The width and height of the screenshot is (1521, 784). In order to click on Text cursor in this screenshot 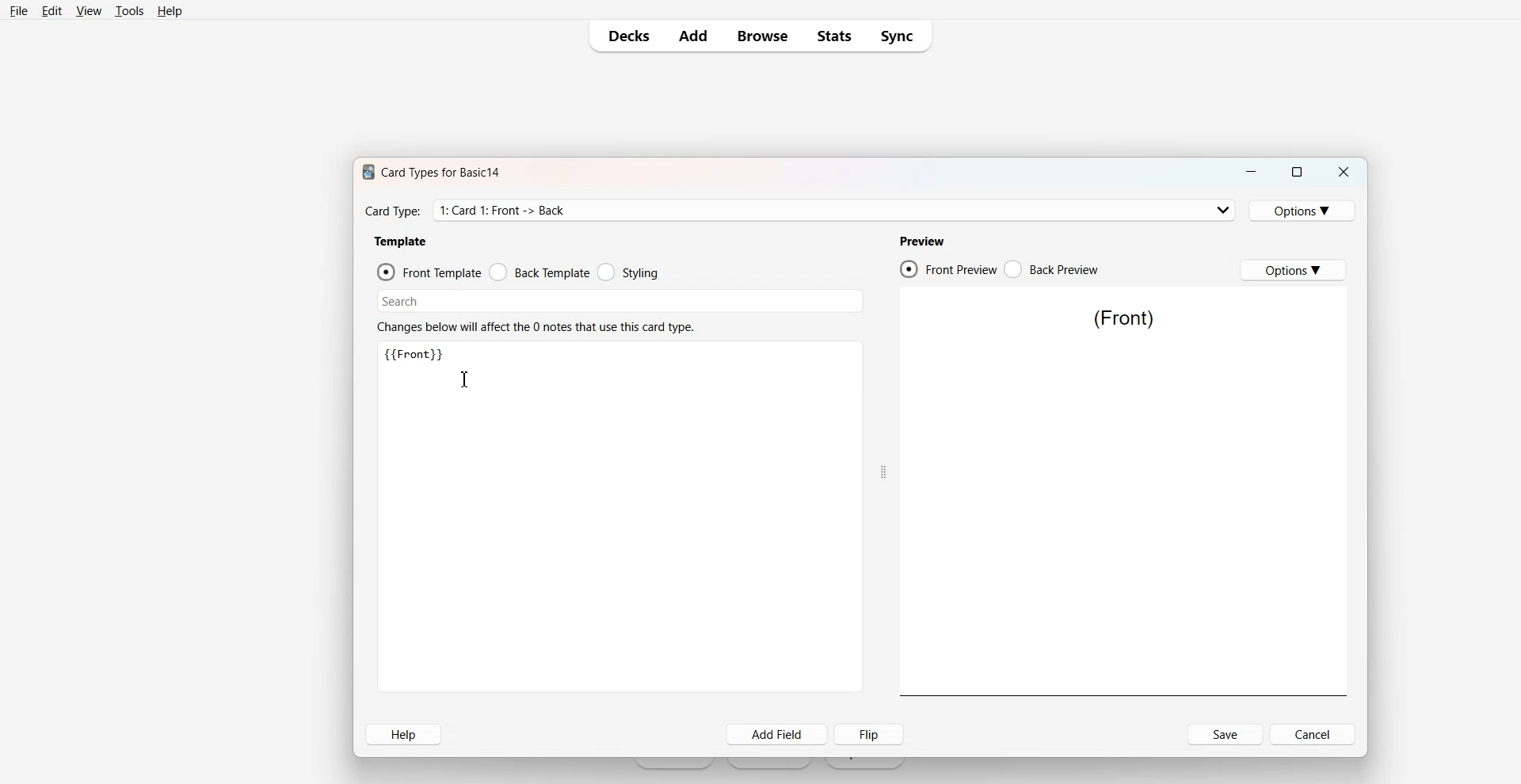, I will do `click(465, 379)`.